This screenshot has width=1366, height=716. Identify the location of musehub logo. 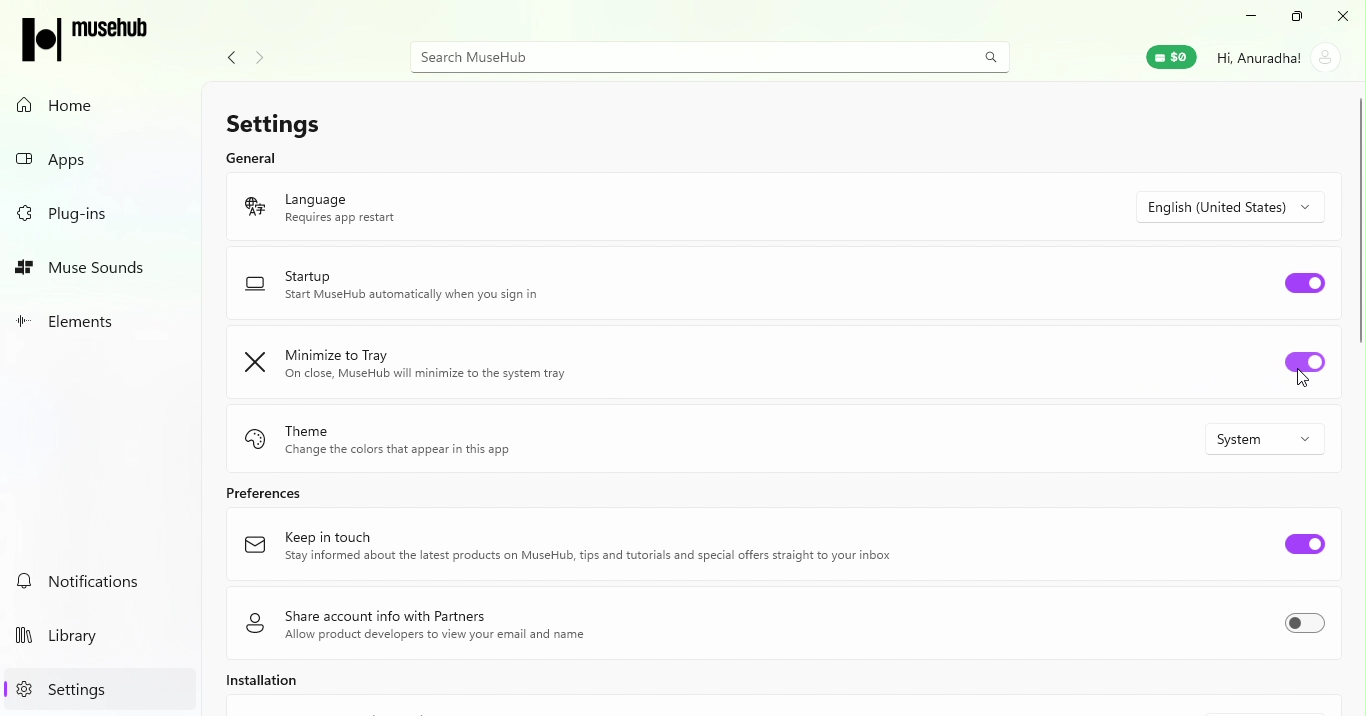
(106, 36).